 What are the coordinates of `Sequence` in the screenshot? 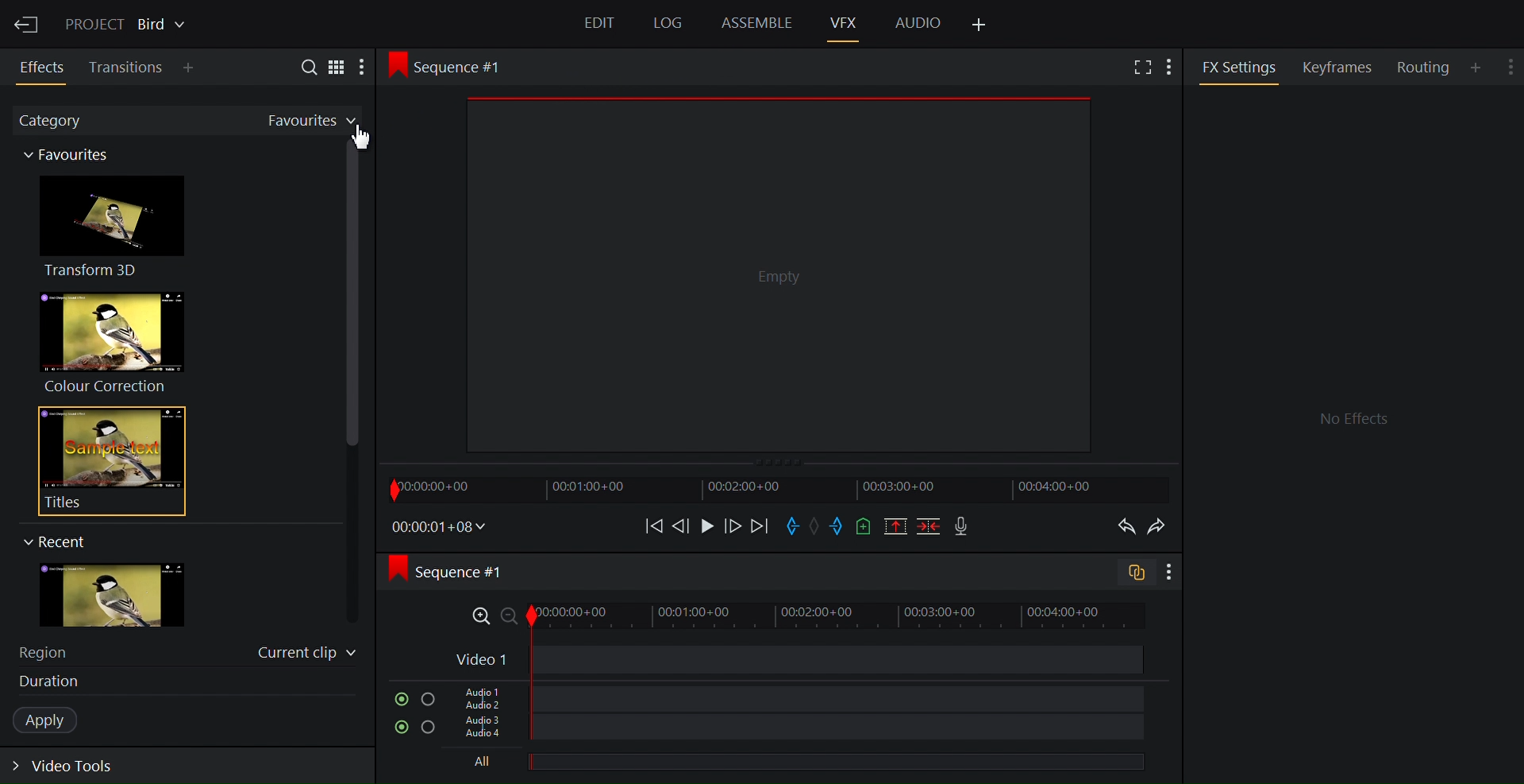 It's located at (464, 571).